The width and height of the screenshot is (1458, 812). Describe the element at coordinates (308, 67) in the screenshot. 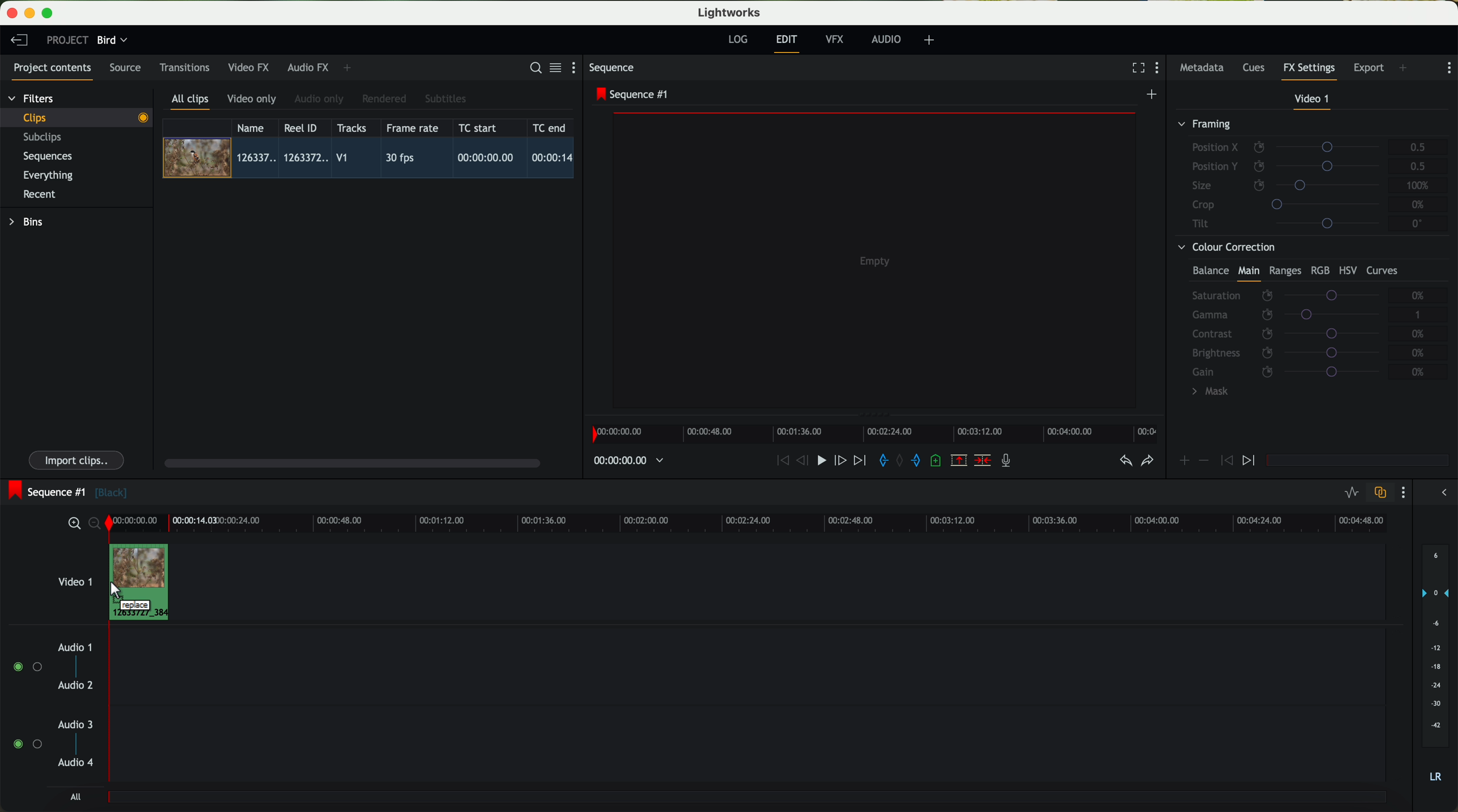

I see `audio FX` at that location.